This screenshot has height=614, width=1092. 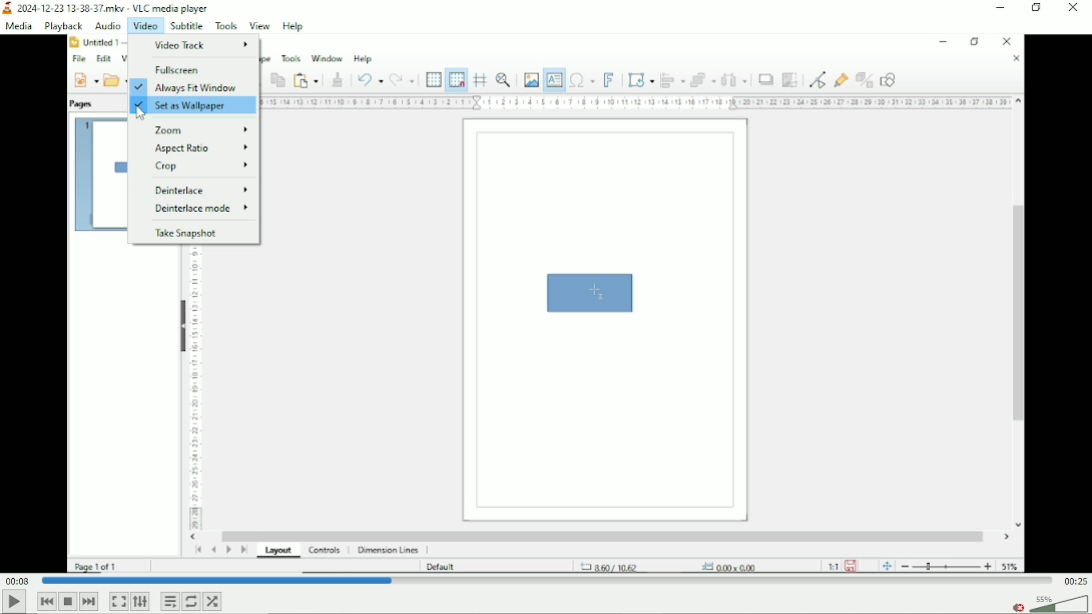 What do you see at coordinates (193, 88) in the screenshot?
I see `Always fit window` at bounding box center [193, 88].